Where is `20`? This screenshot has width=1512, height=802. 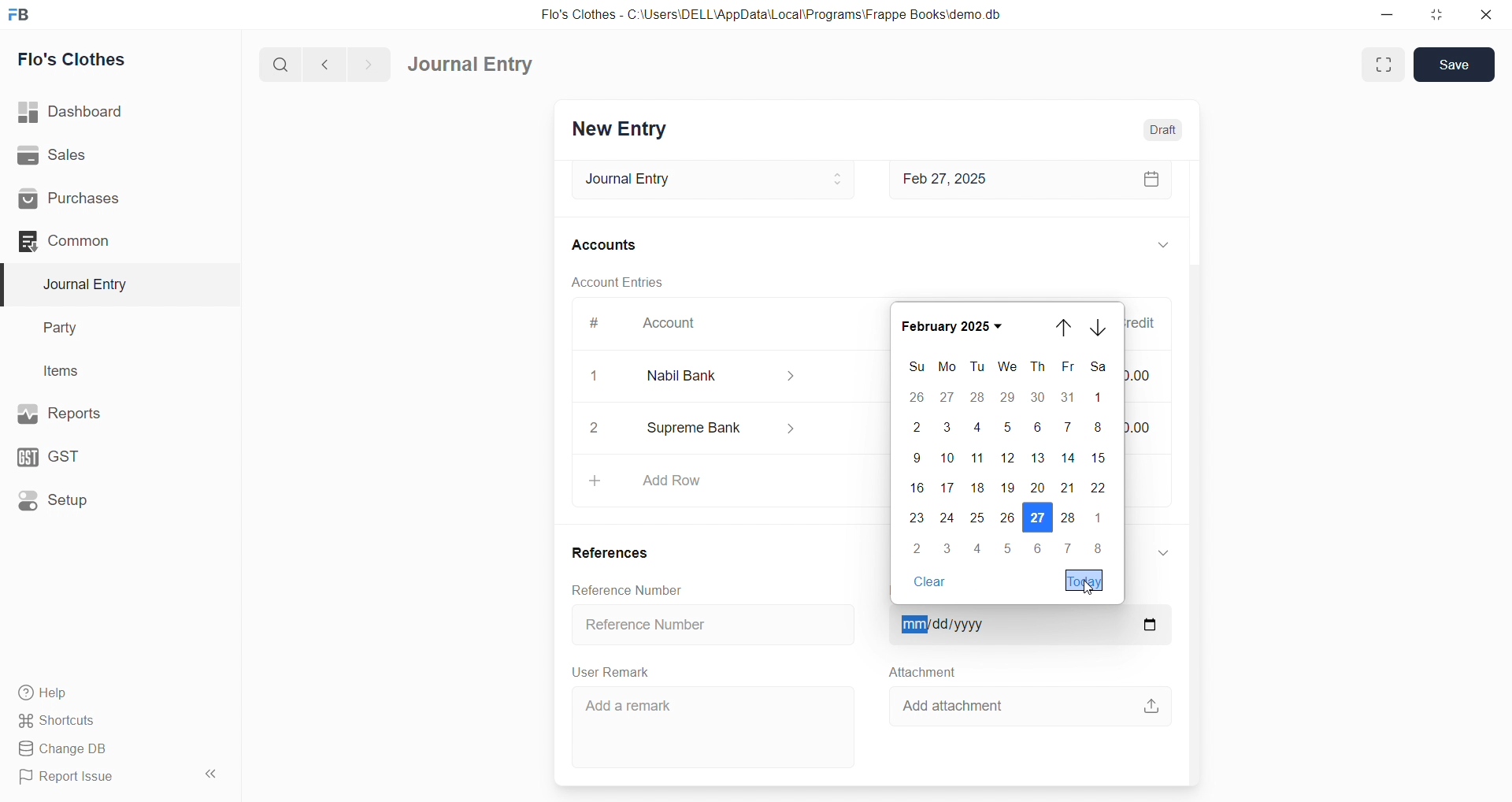
20 is located at coordinates (1035, 489).